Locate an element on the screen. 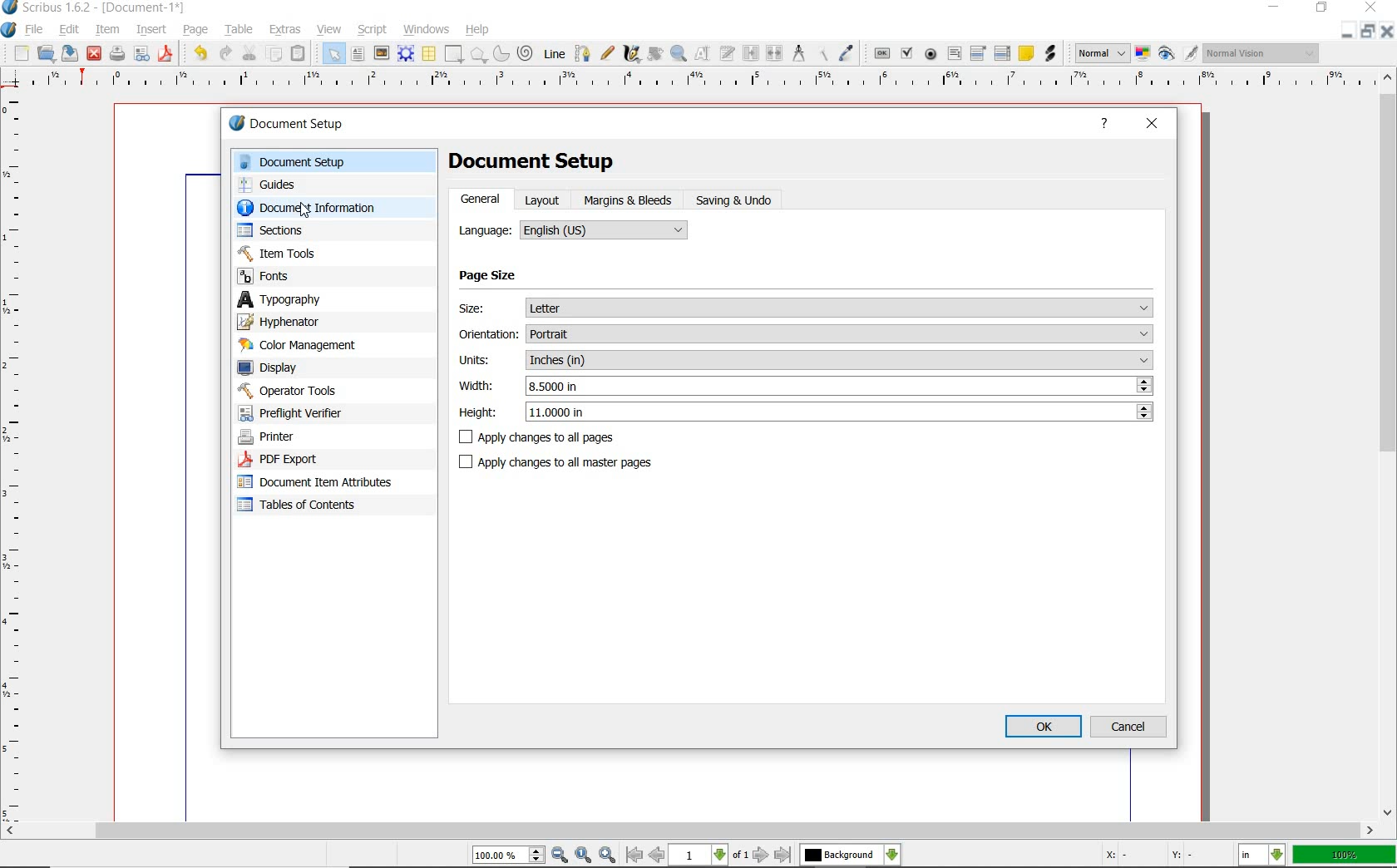  pdf radio button is located at coordinates (931, 54).